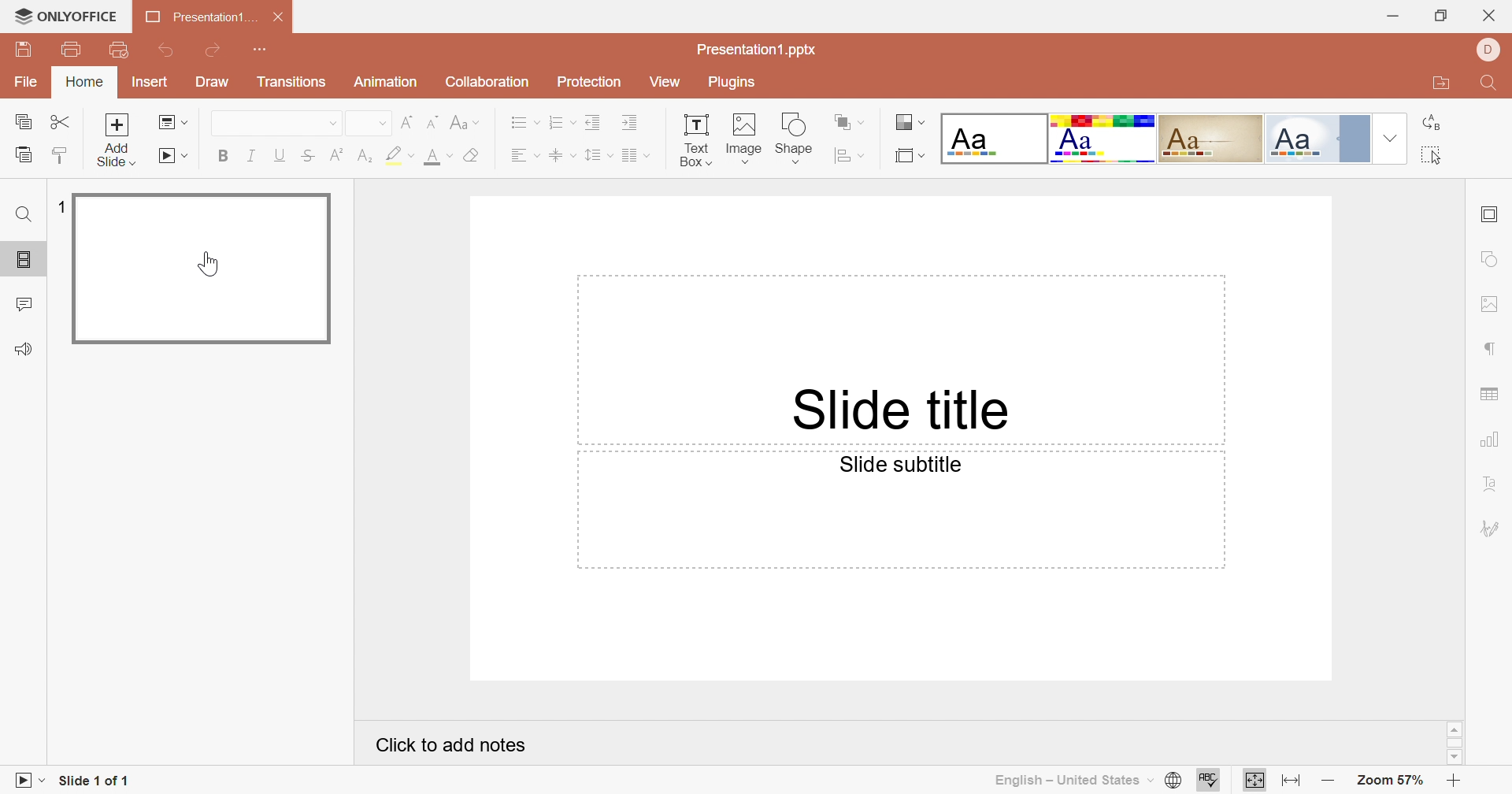 Image resolution: width=1512 pixels, height=794 pixels. What do you see at coordinates (561, 121) in the screenshot?
I see `Numbering` at bounding box center [561, 121].